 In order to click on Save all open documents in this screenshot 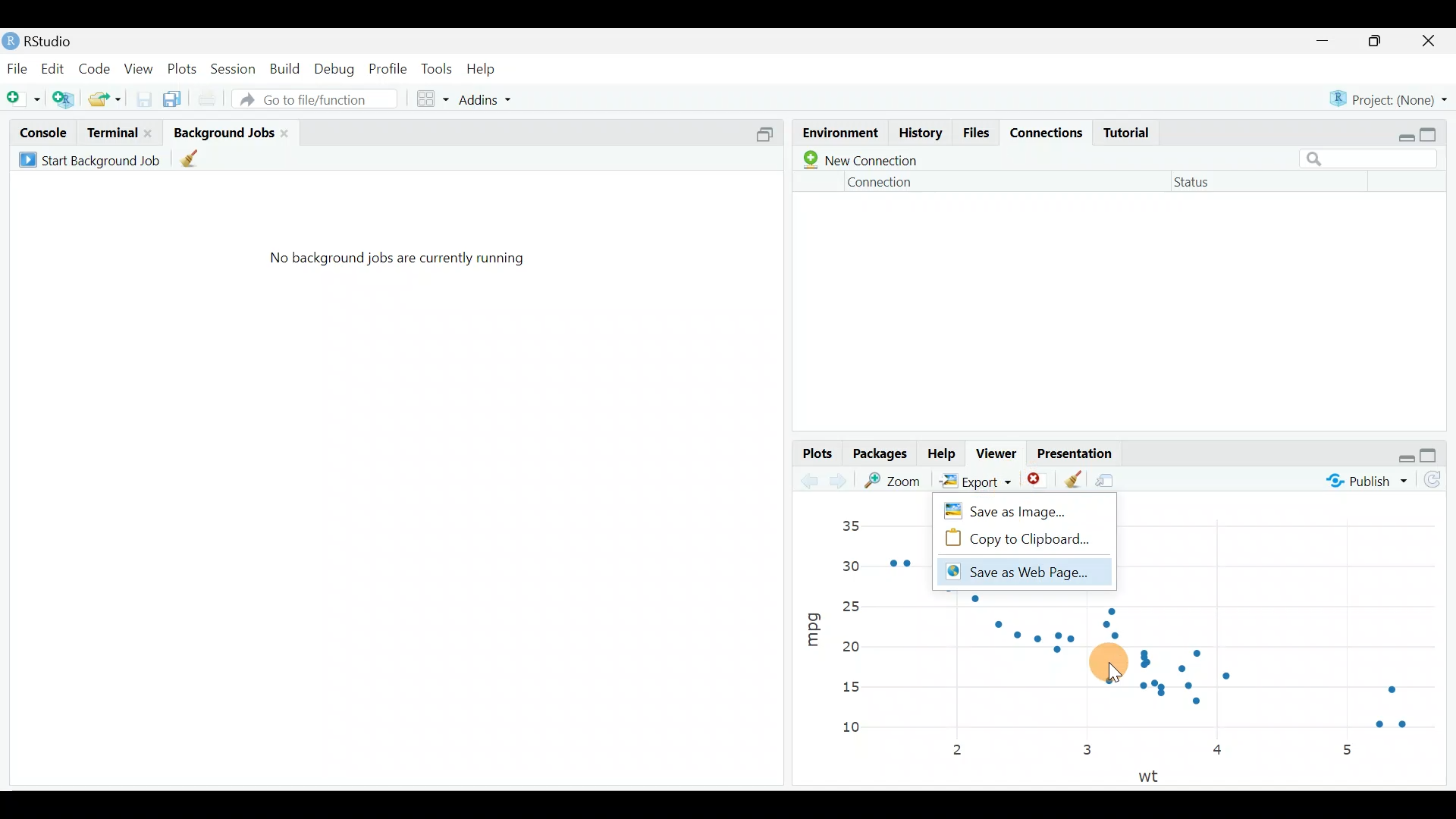, I will do `click(174, 96)`.